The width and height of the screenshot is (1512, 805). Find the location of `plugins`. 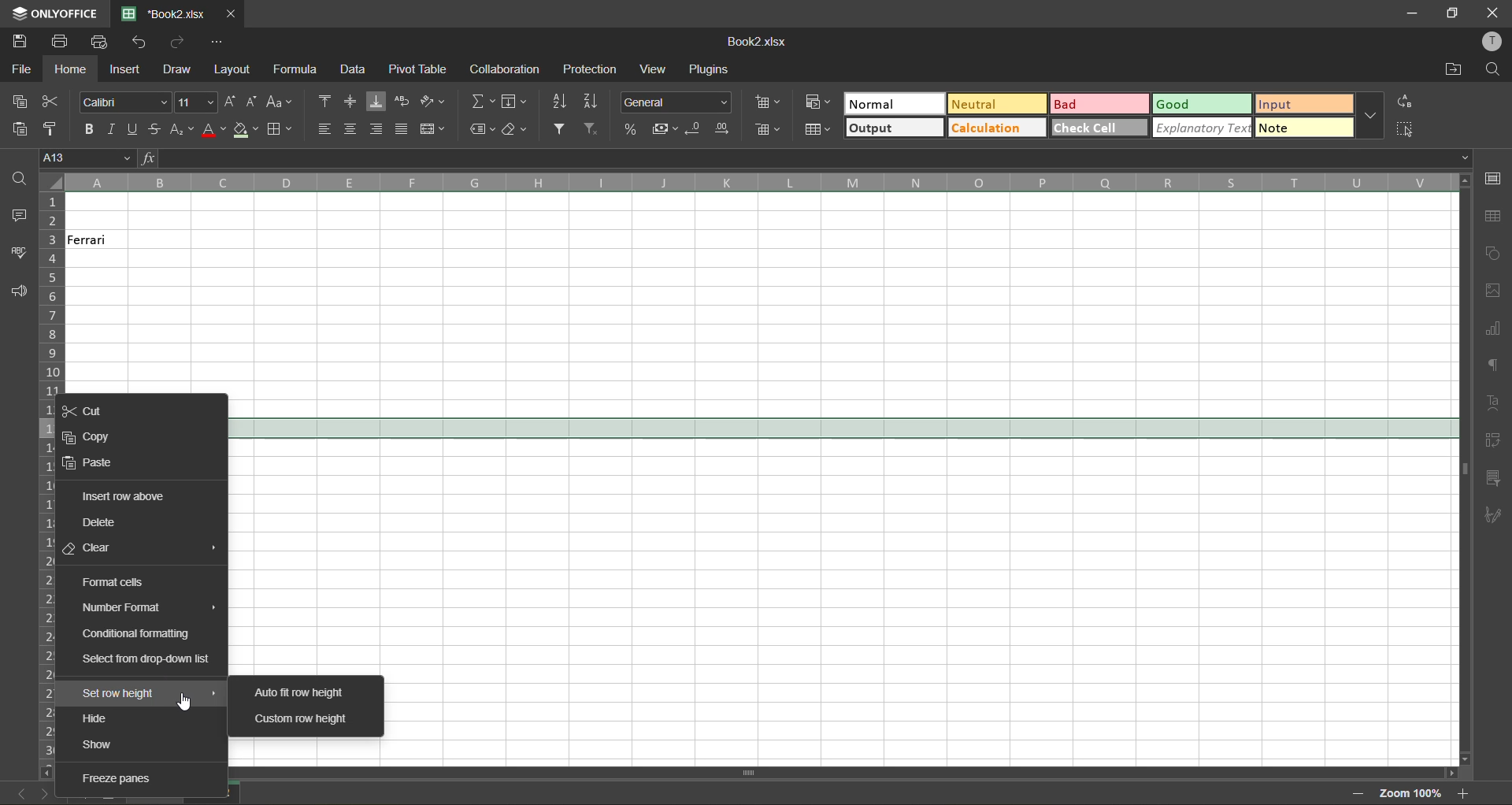

plugins is located at coordinates (708, 67).